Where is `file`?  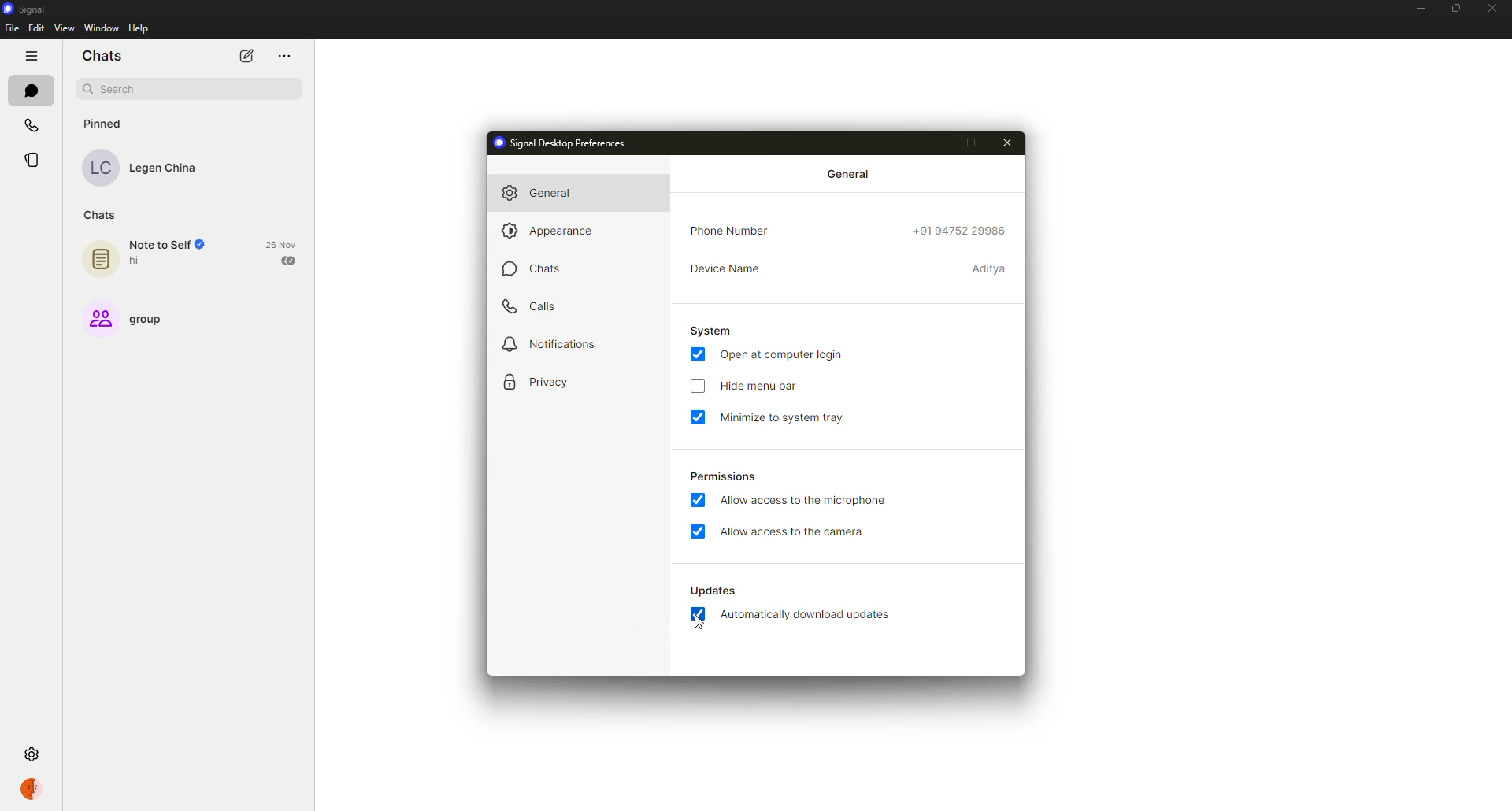
file is located at coordinates (12, 28).